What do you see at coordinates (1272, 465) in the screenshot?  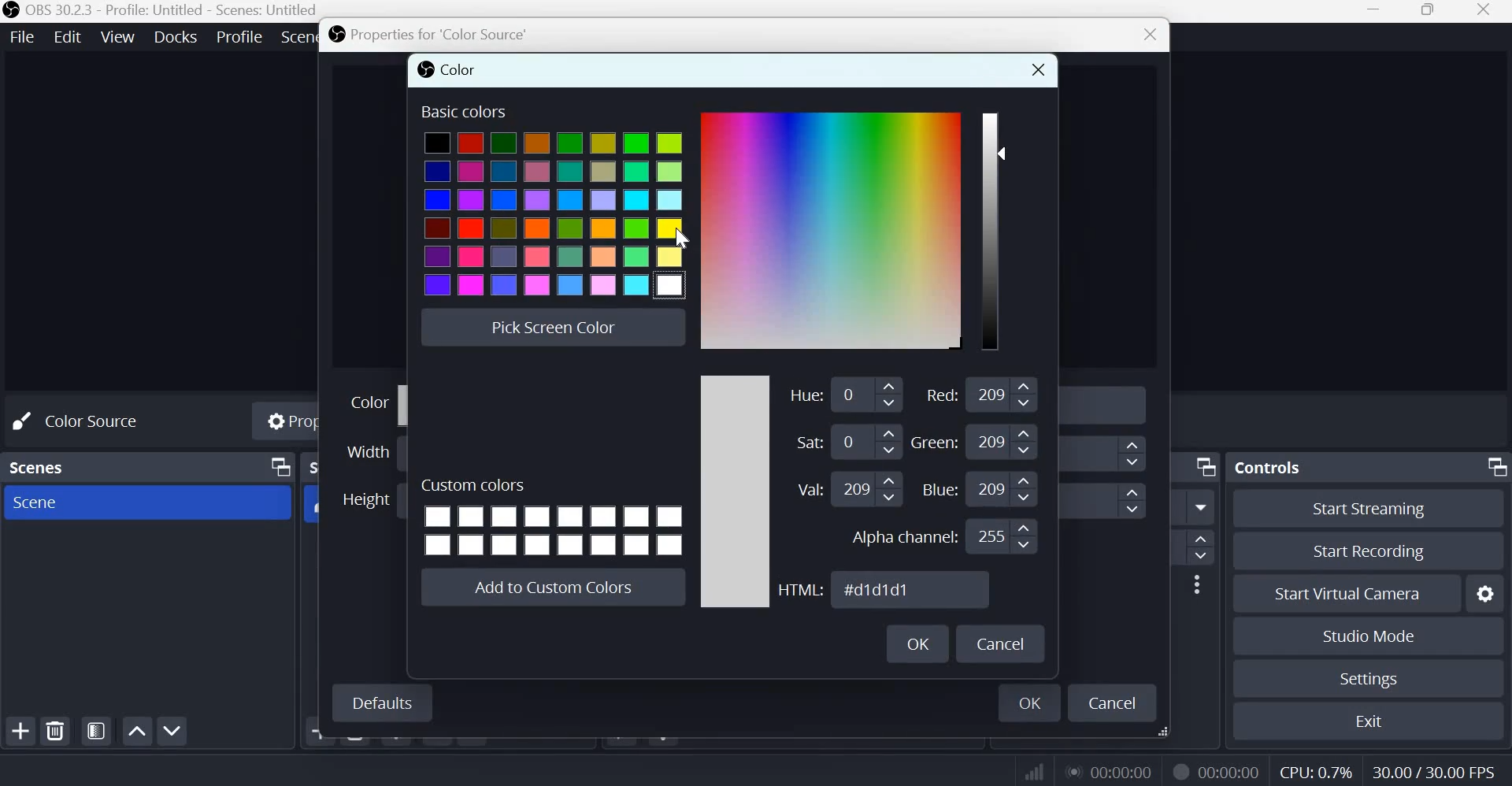 I see `Controls` at bounding box center [1272, 465].